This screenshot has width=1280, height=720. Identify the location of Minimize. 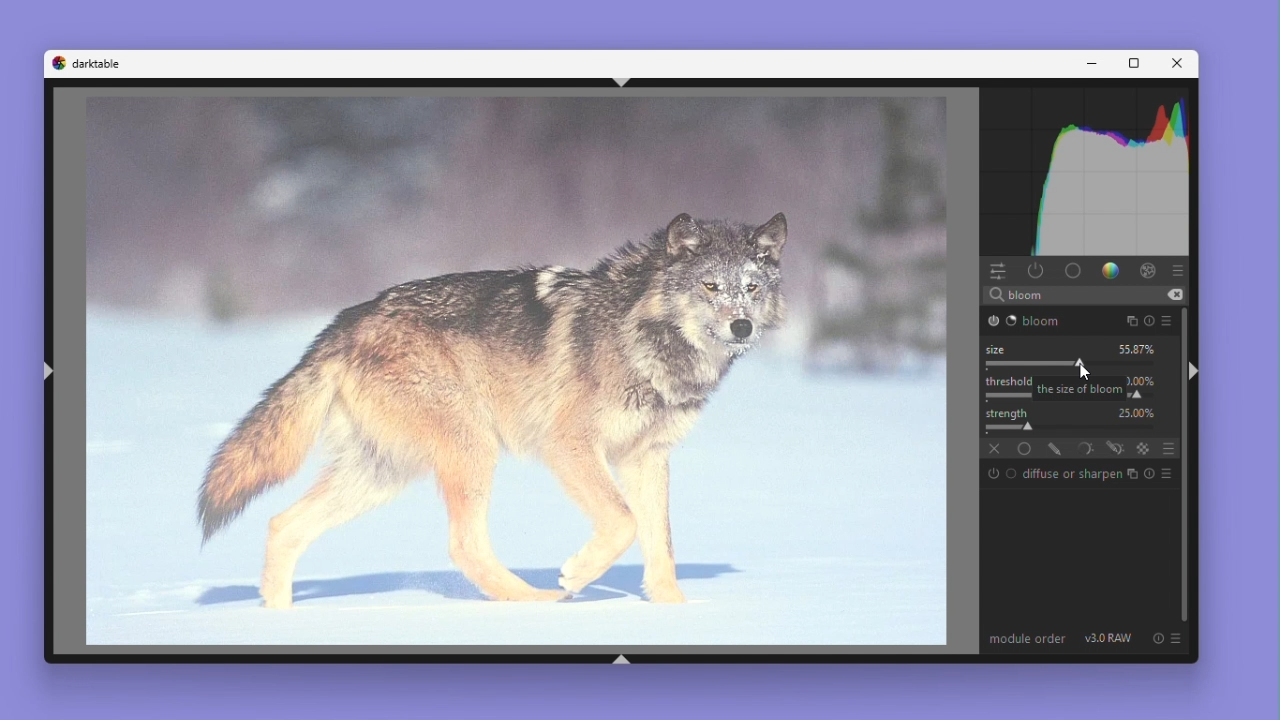
(1093, 64).